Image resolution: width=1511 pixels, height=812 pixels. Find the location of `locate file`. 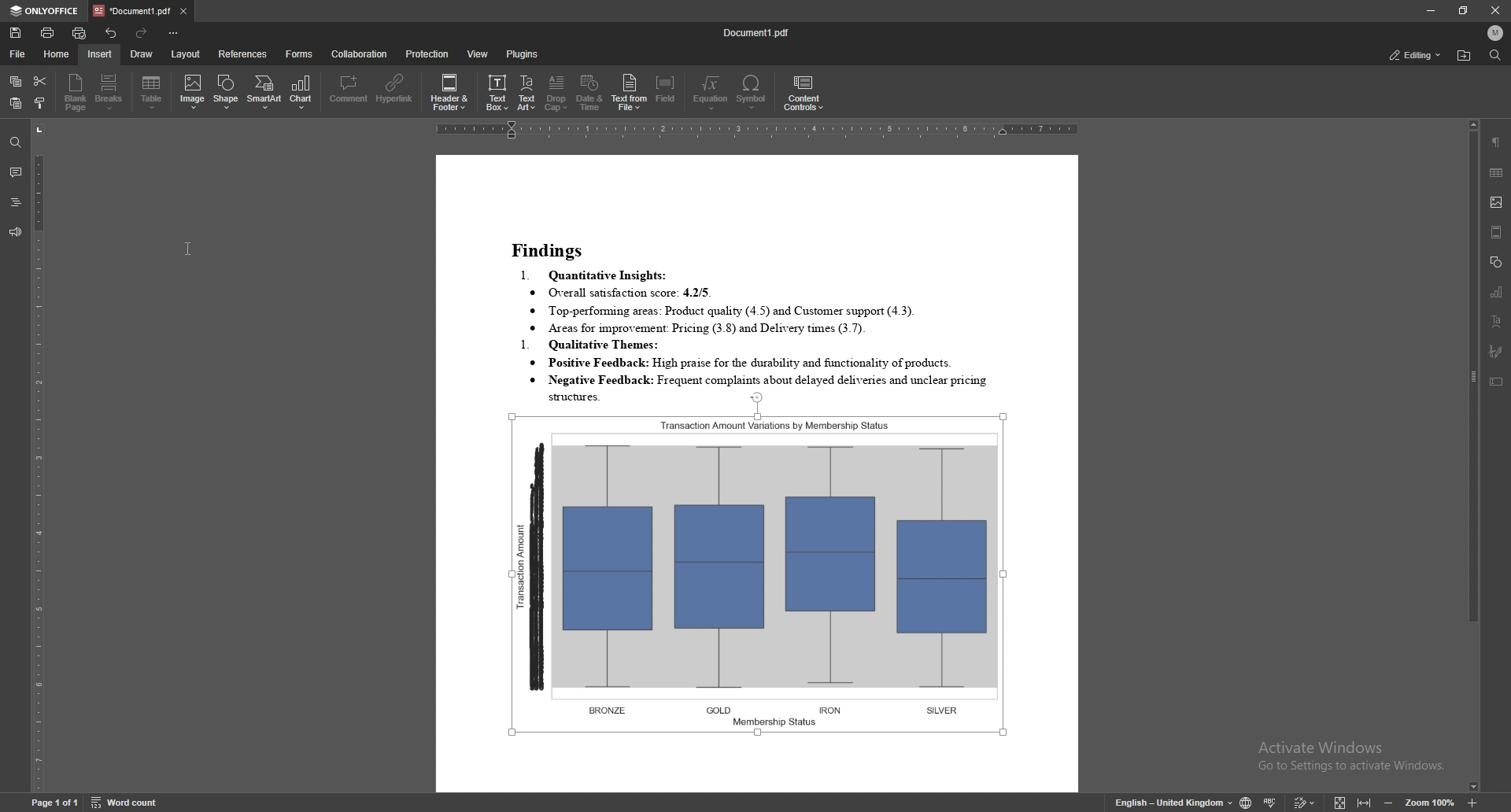

locate file is located at coordinates (1465, 55).